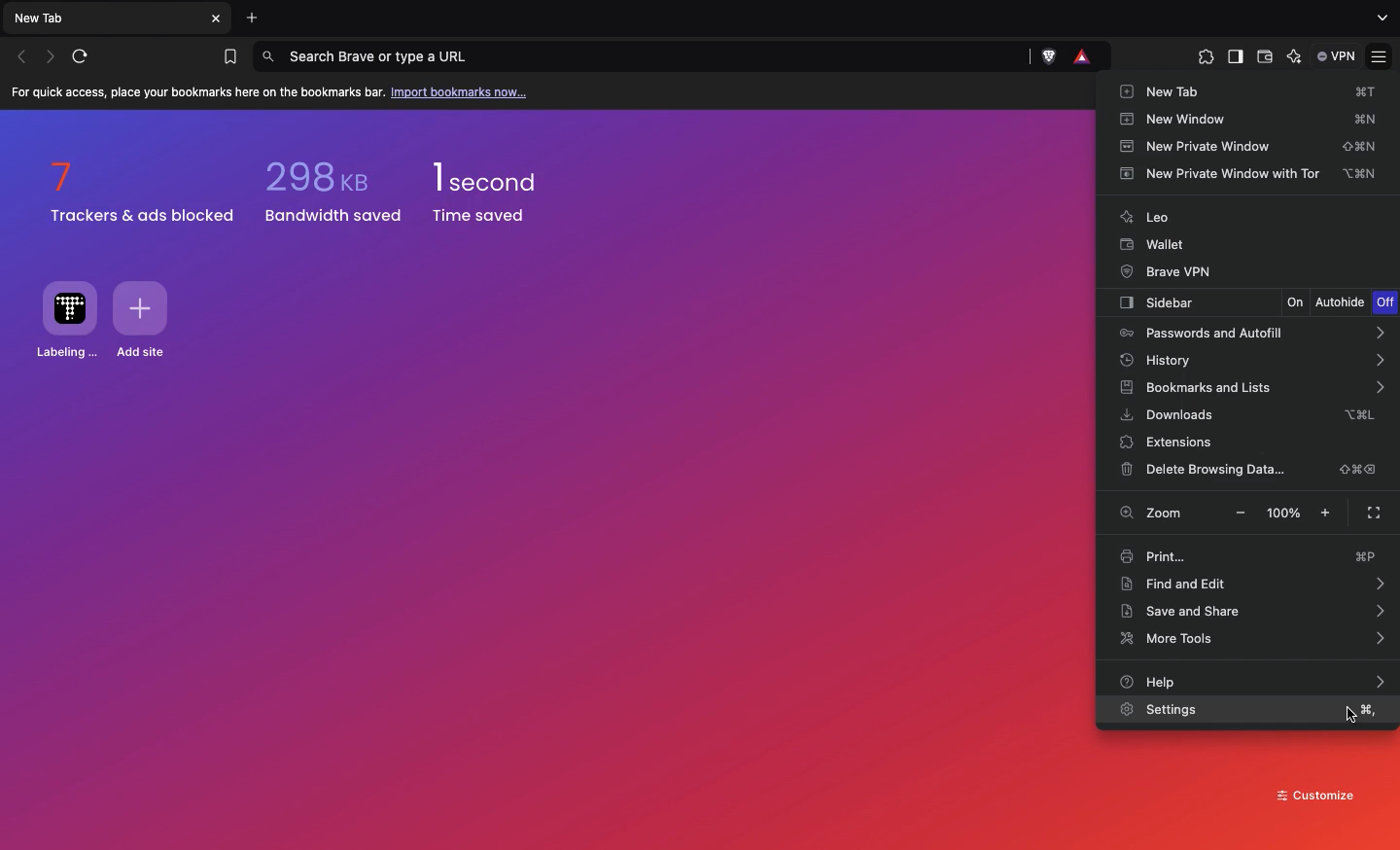 The height and width of the screenshot is (850, 1400). Describe the element at coordinates (1152, 245) in the screenshot. I see `Wallet` at that location.